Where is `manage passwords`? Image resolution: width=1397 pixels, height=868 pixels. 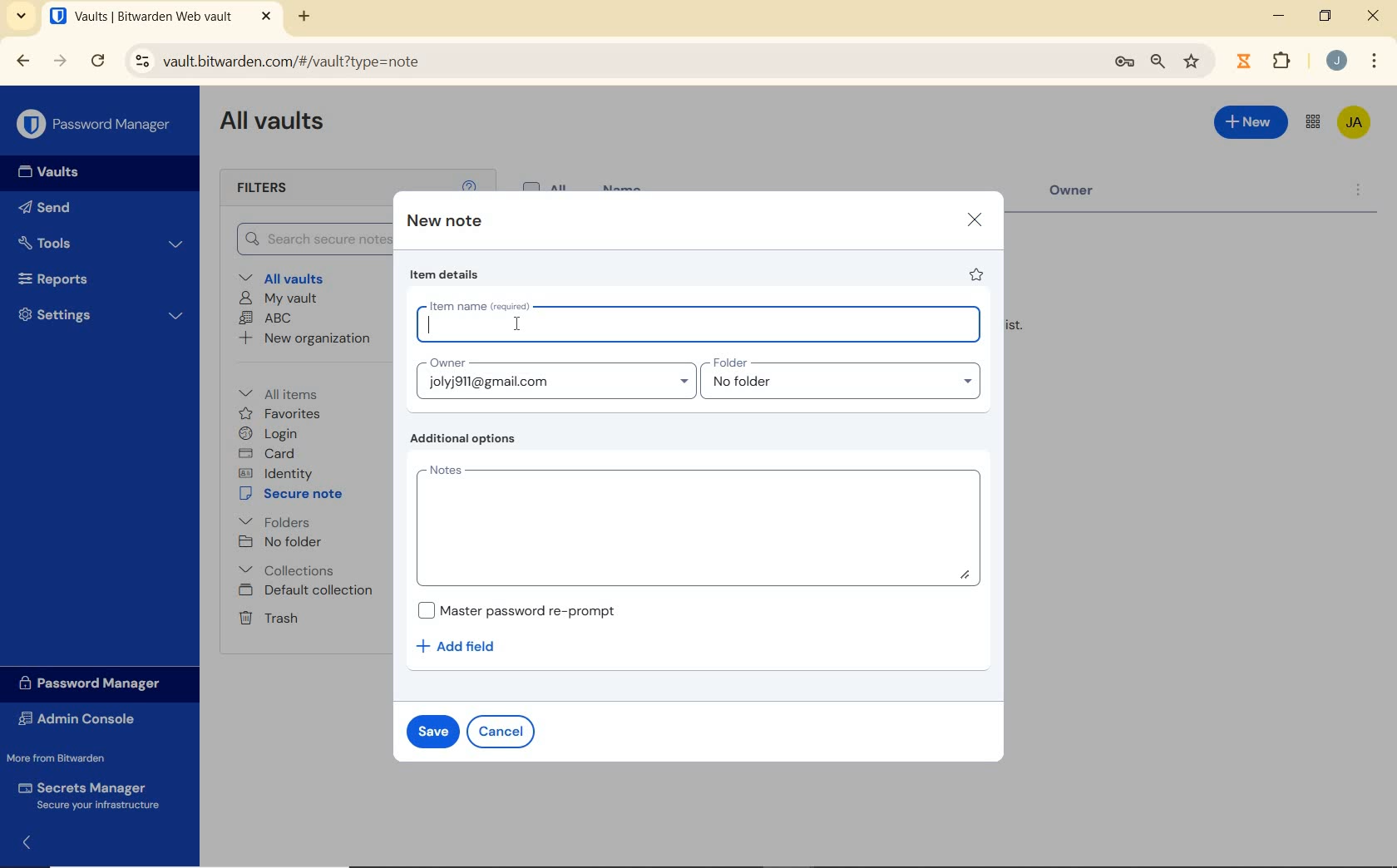 manage passwords is located at coordinates (1124, 65).